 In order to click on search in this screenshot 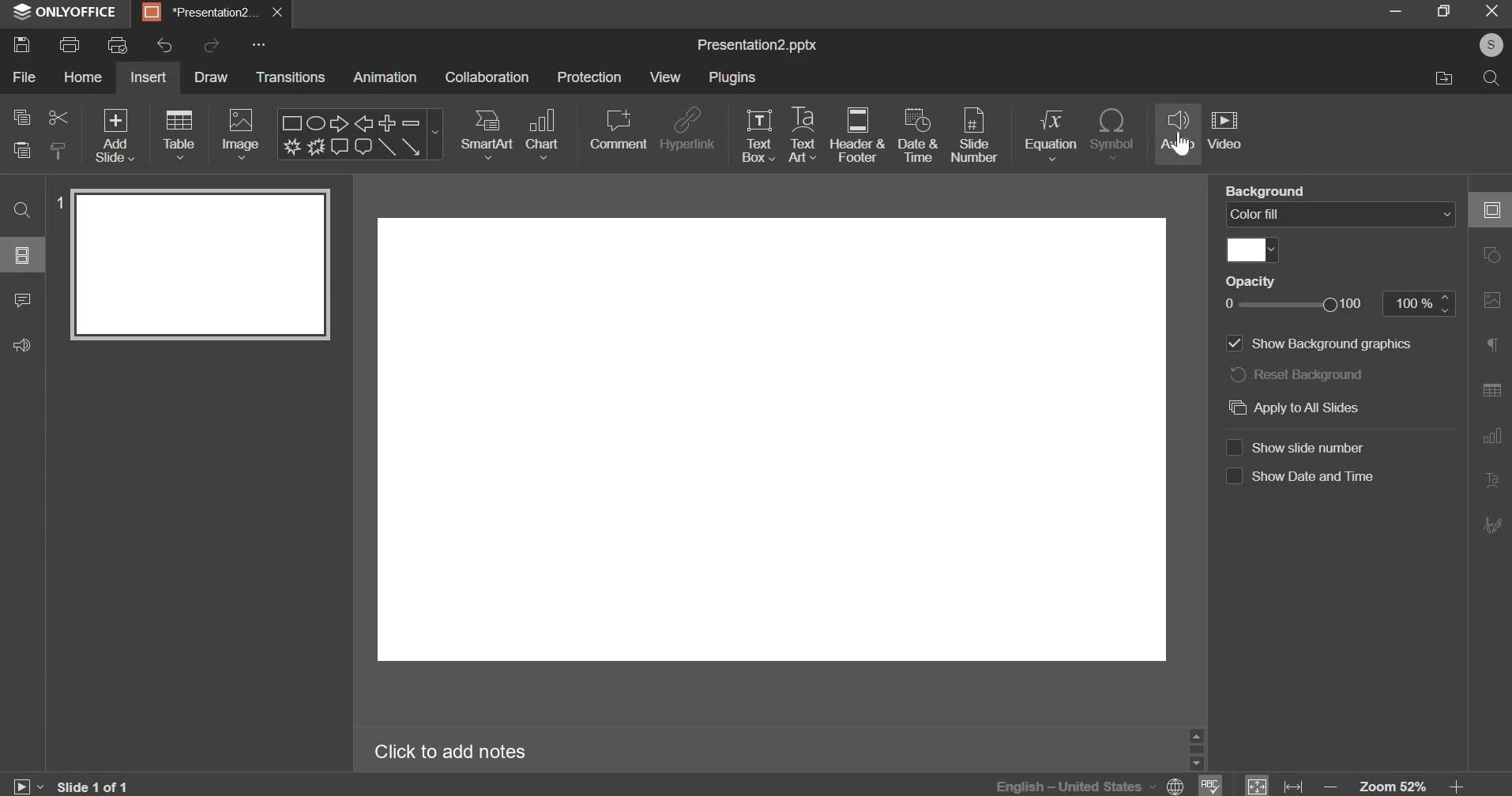, I will do `click(1491, 79)`.